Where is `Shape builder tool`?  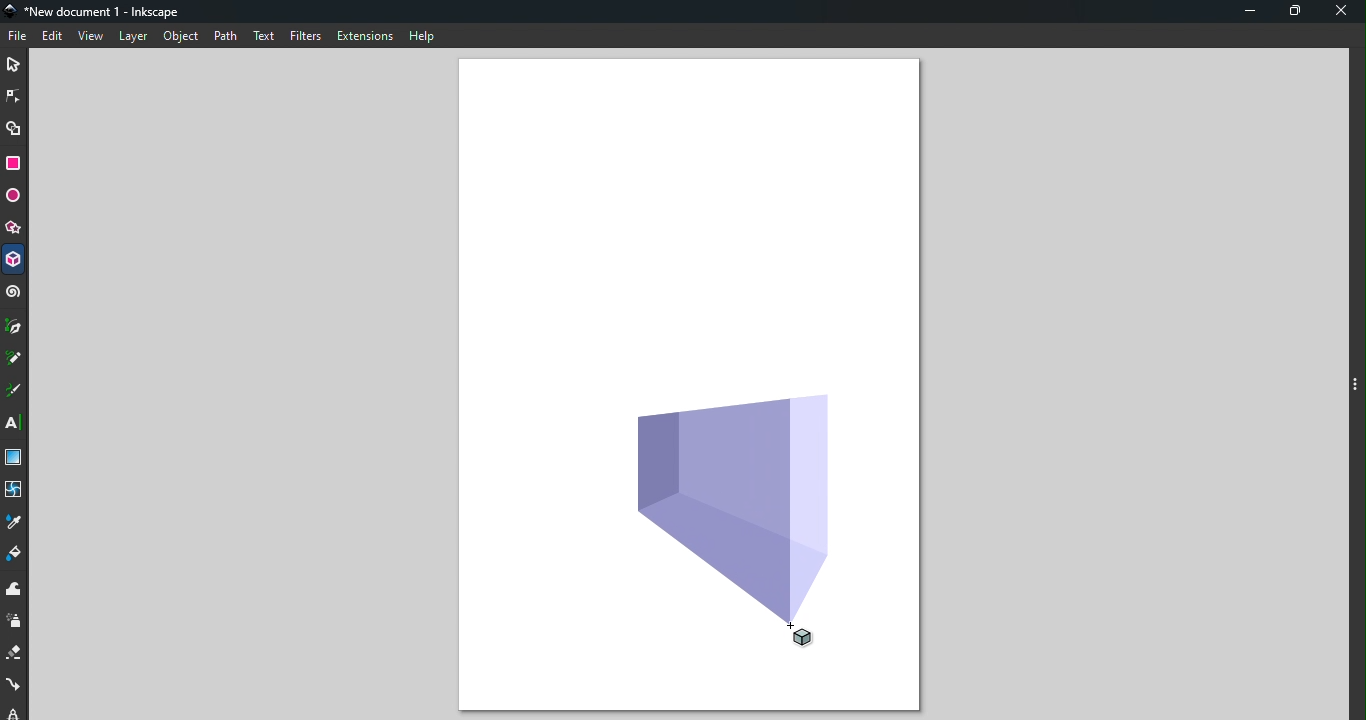 Shape builder tool is located at coordinates (14, 127).